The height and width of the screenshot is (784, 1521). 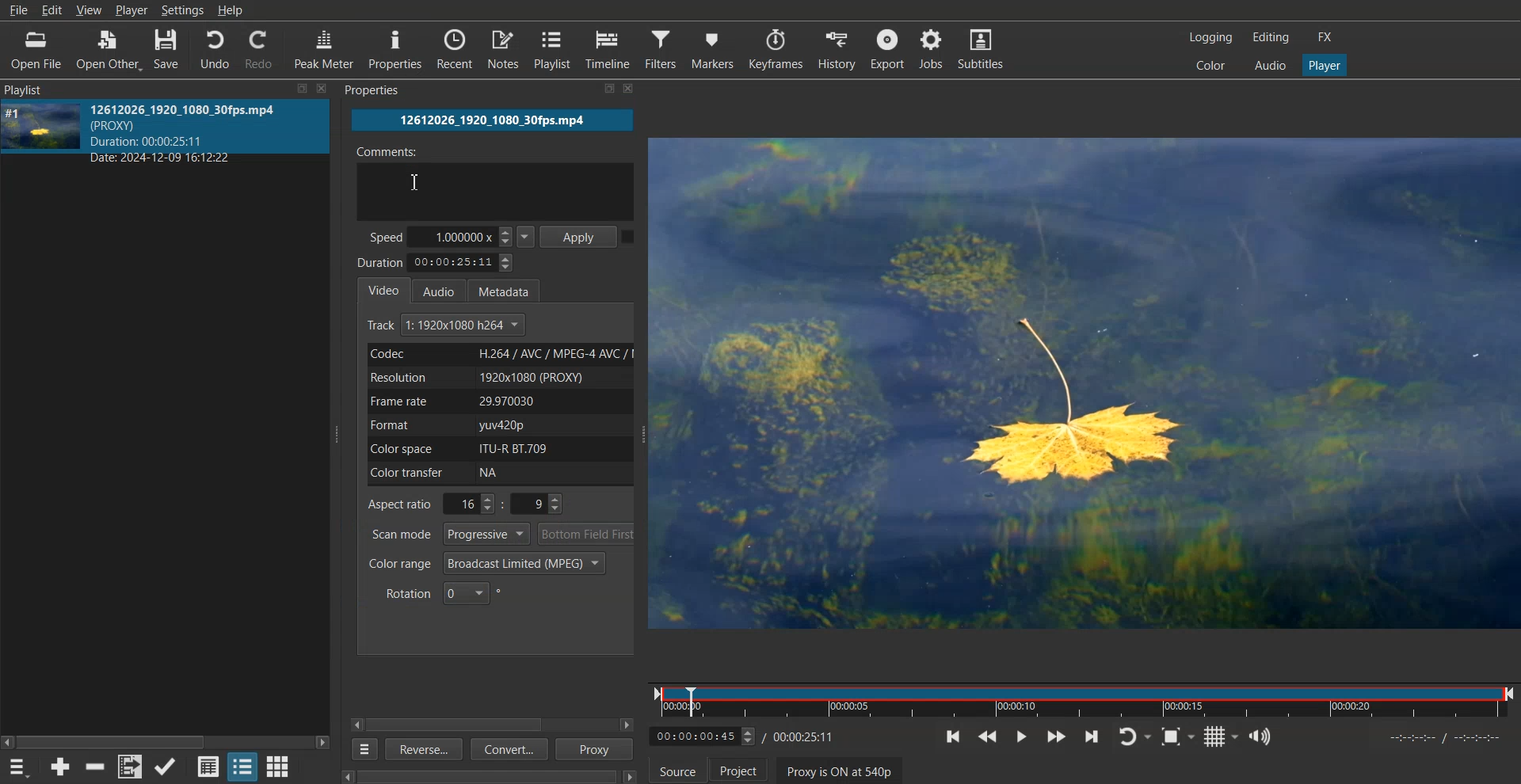 What do you see at coordinates (511, 289) in the screenshot?
I see `Metadata` at bounding box center [511, 289].